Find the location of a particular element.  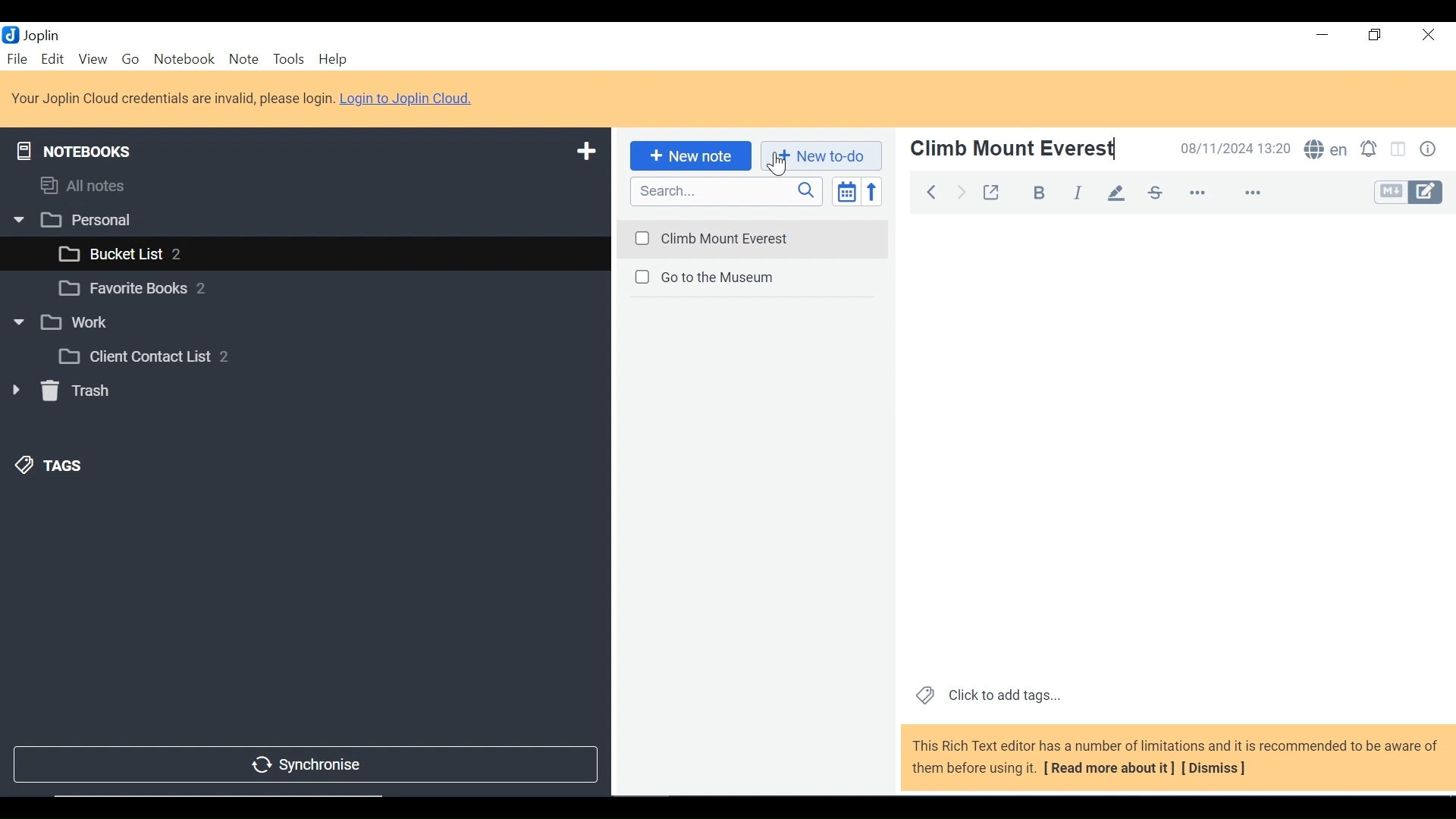

Trash is located at coordinates (61, 394).